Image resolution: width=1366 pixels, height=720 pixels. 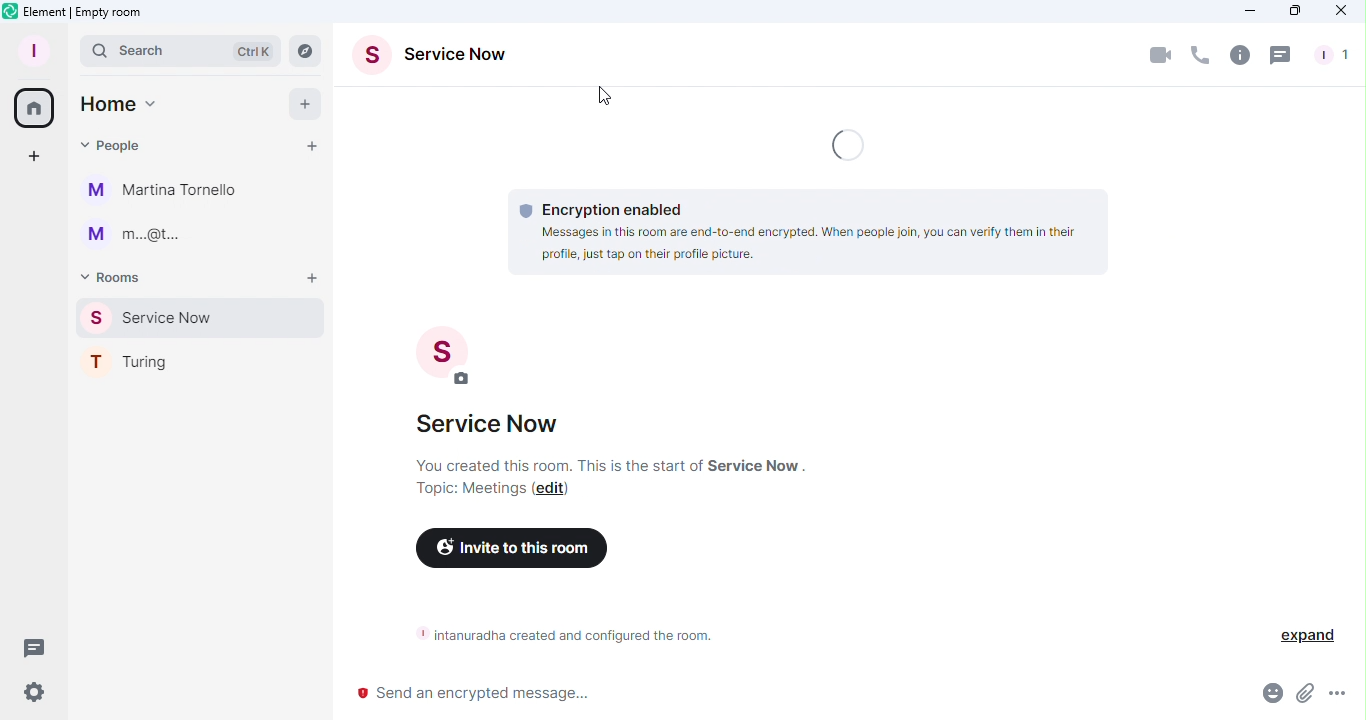 What do you see at coordinates (432, 355) in the screenshot?
I see `S` at bounding box center [432, 355].